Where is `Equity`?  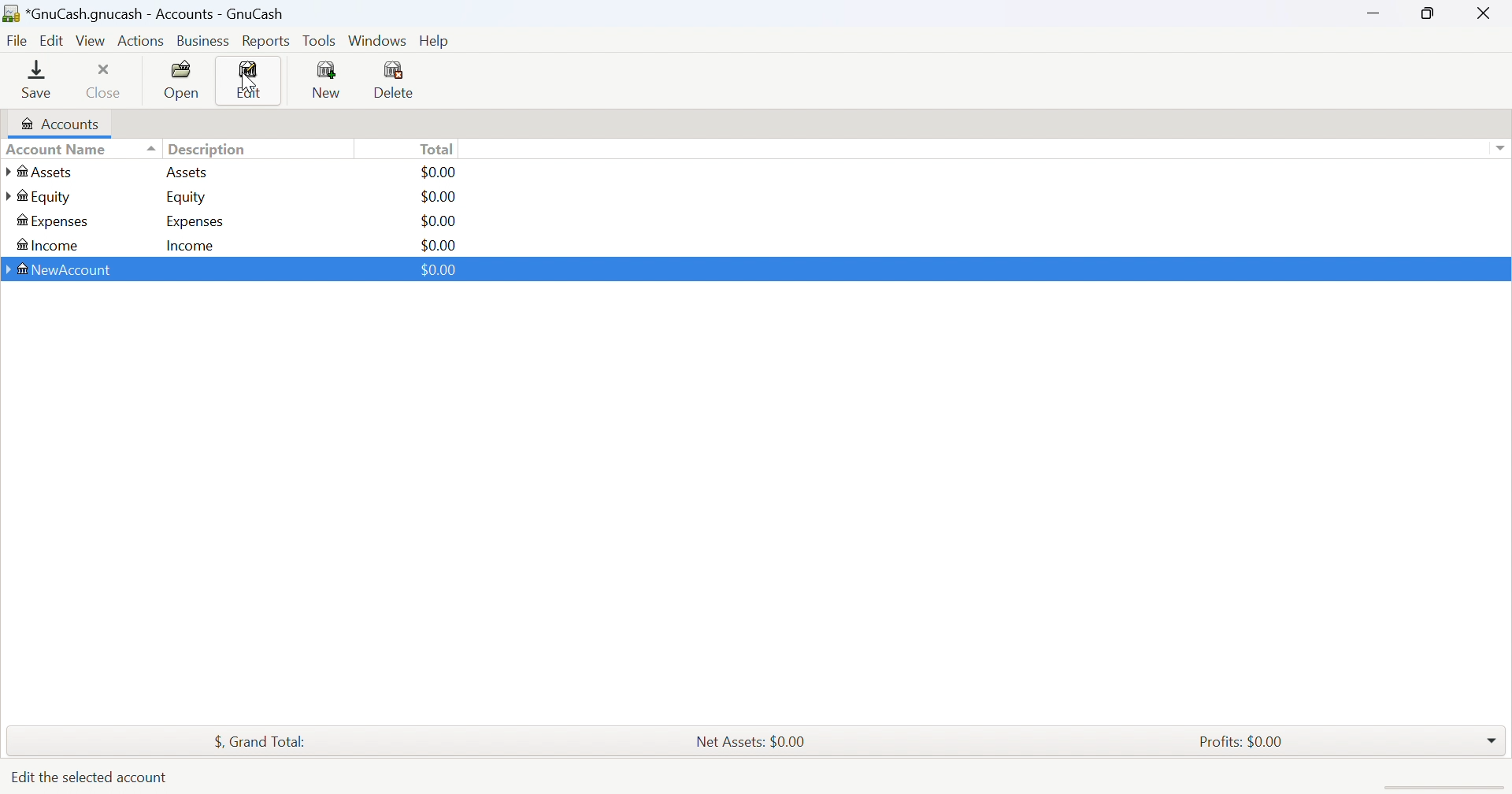 Equity is located at coordinates (188, 197).